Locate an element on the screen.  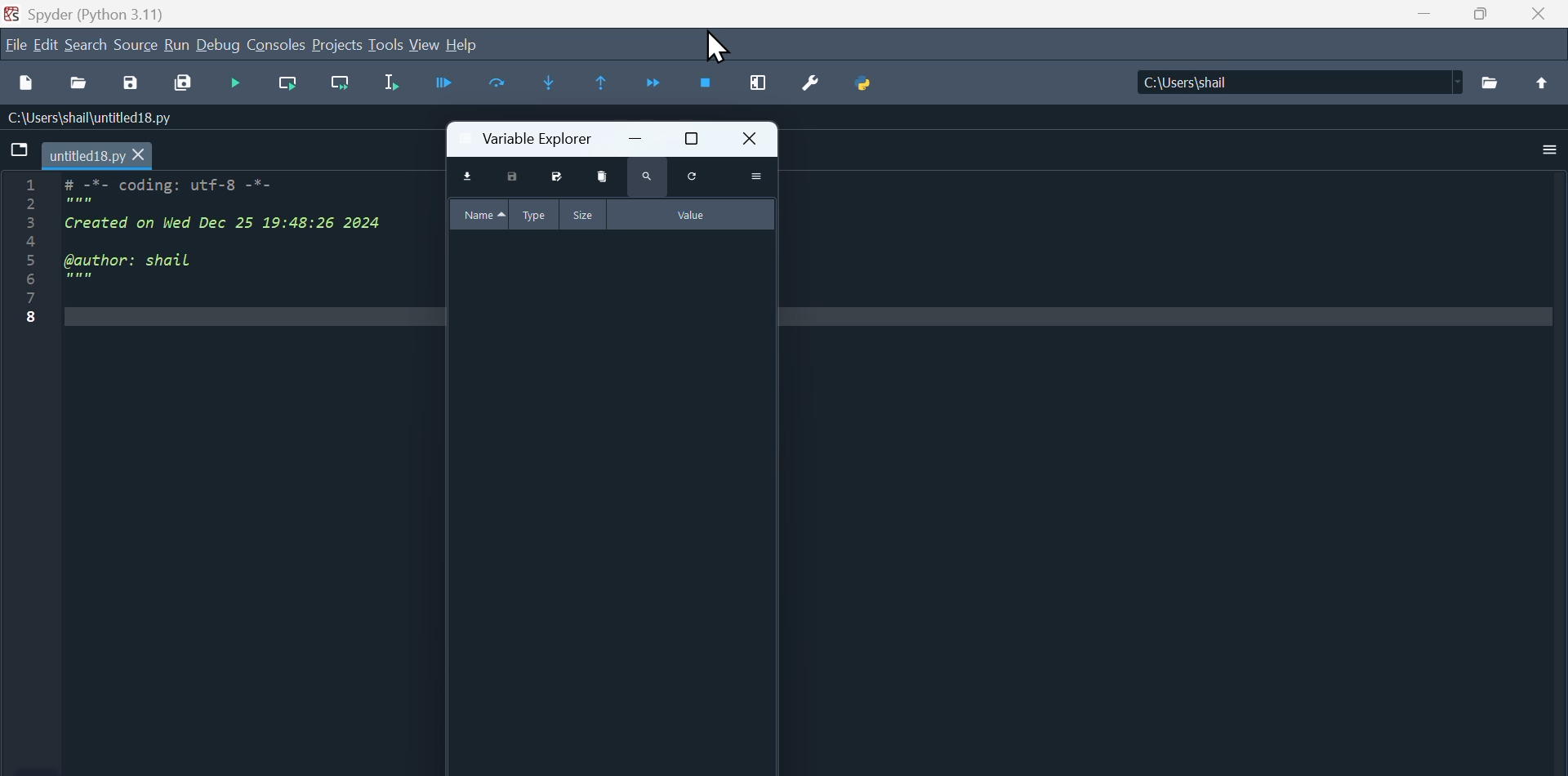
Spyder (Python 3.11) is located at coordinates (127, 12).